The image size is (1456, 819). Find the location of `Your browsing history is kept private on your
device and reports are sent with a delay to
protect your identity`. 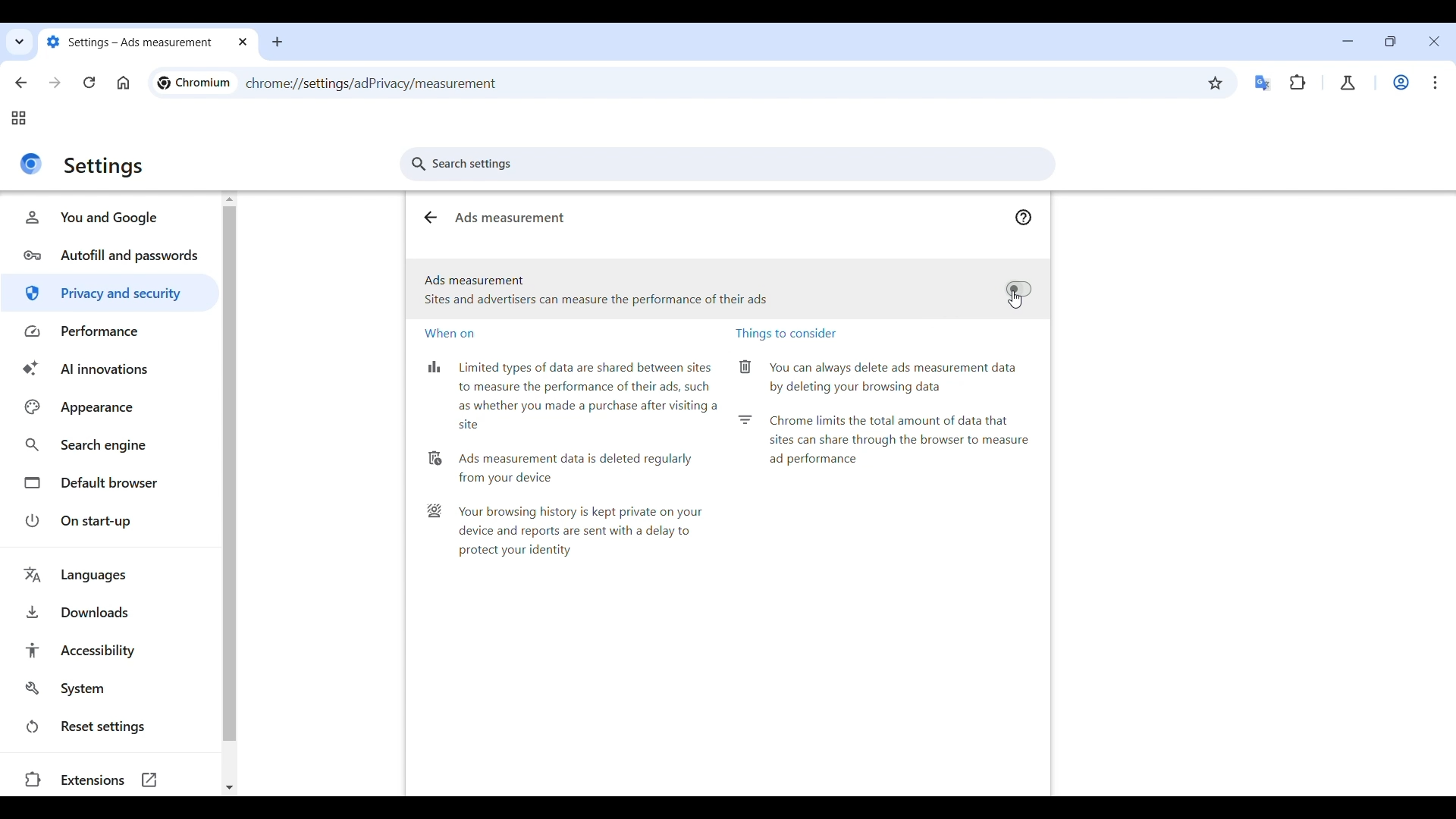

Your browsing history is kept private on your
device and reports are sent with a delay to
protect your identity is located at coordinates (564, 536).